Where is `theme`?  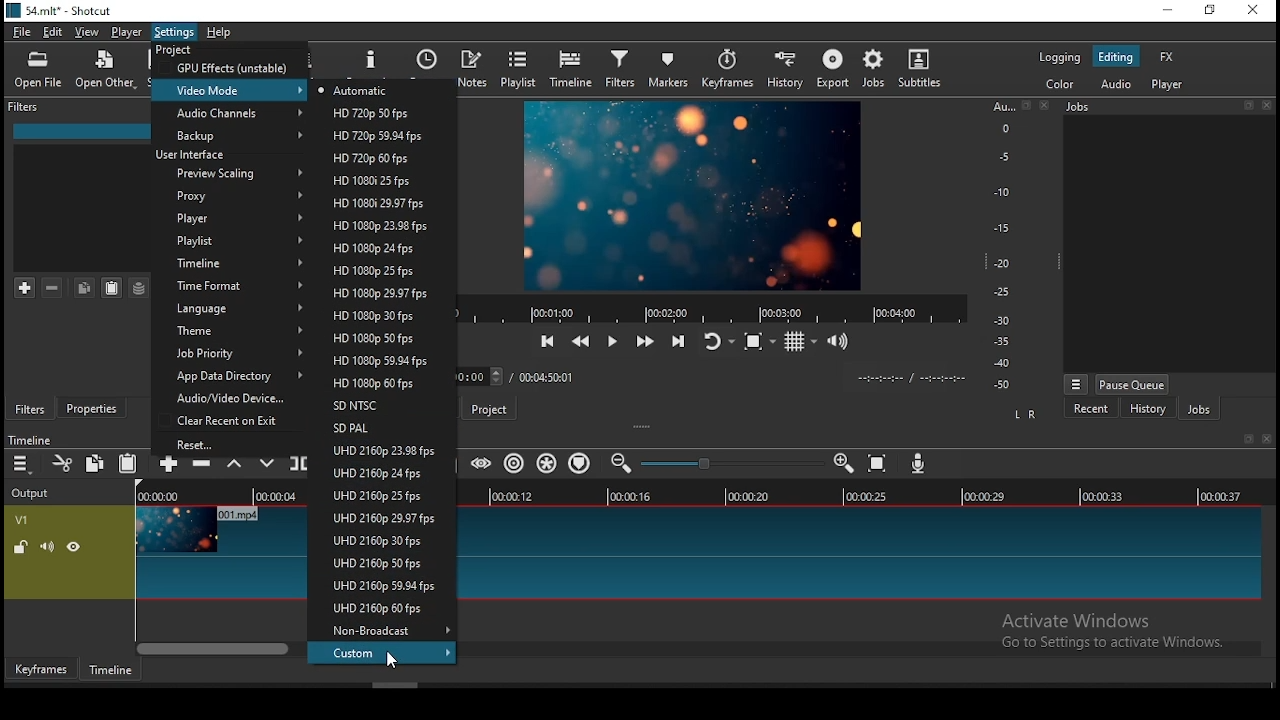 theme is located at coordinates (231, 333).